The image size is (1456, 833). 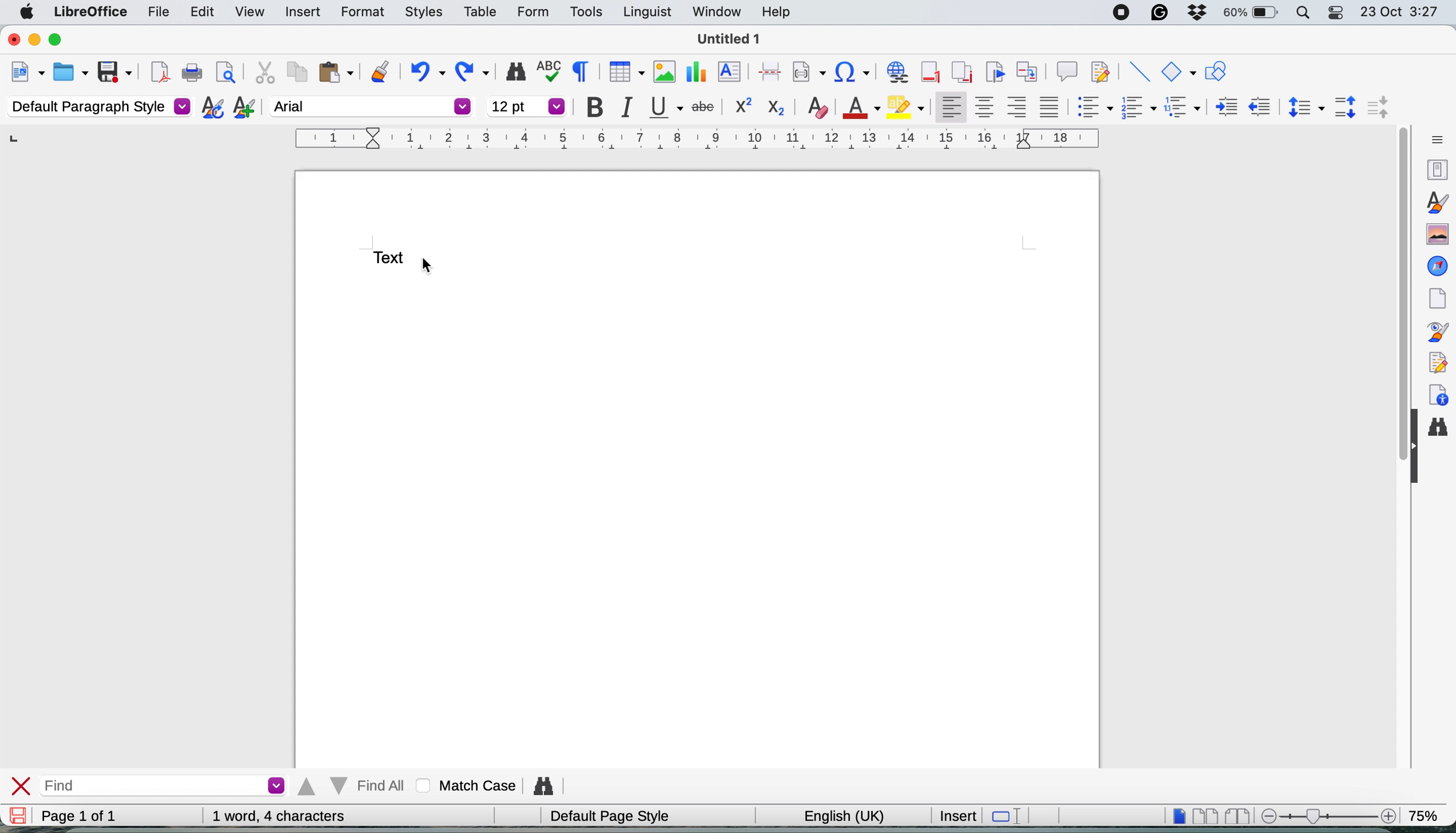 I want to click on standard selection, so click(x=1004, y=815).